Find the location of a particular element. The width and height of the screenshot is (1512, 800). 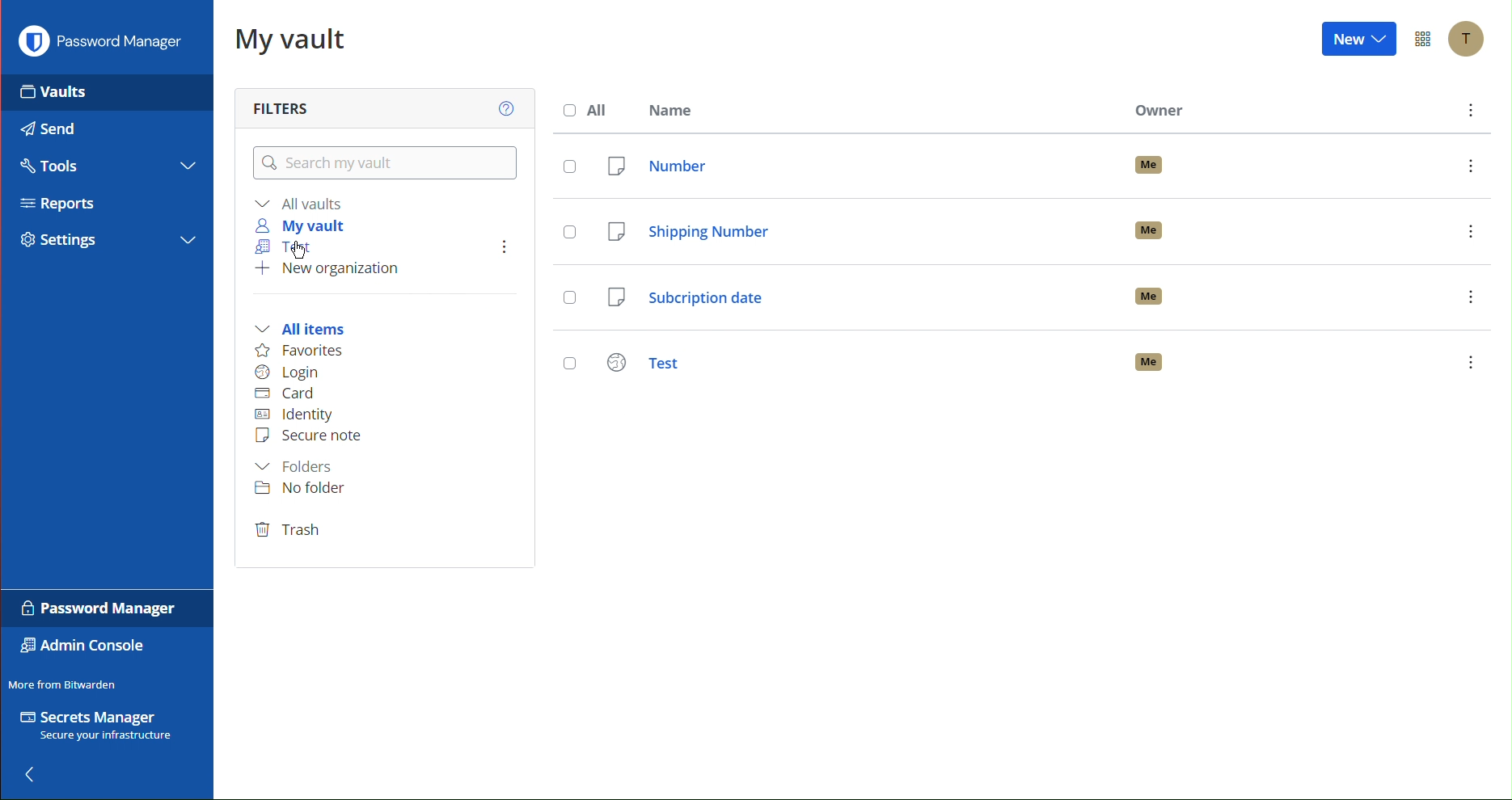

More is located at coordinates (497, 248).